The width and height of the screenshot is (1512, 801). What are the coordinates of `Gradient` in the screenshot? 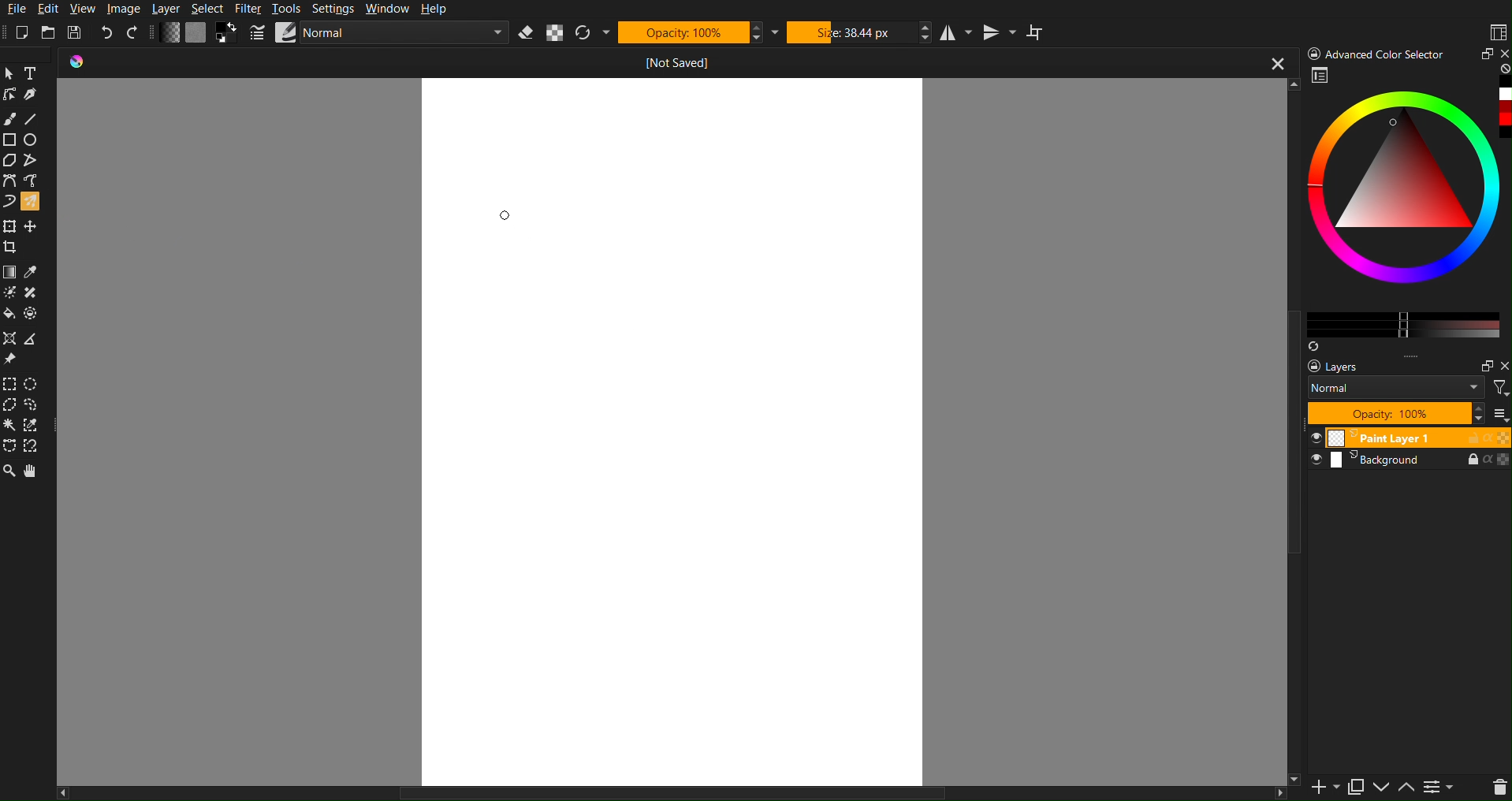 It's located at (10, 270).